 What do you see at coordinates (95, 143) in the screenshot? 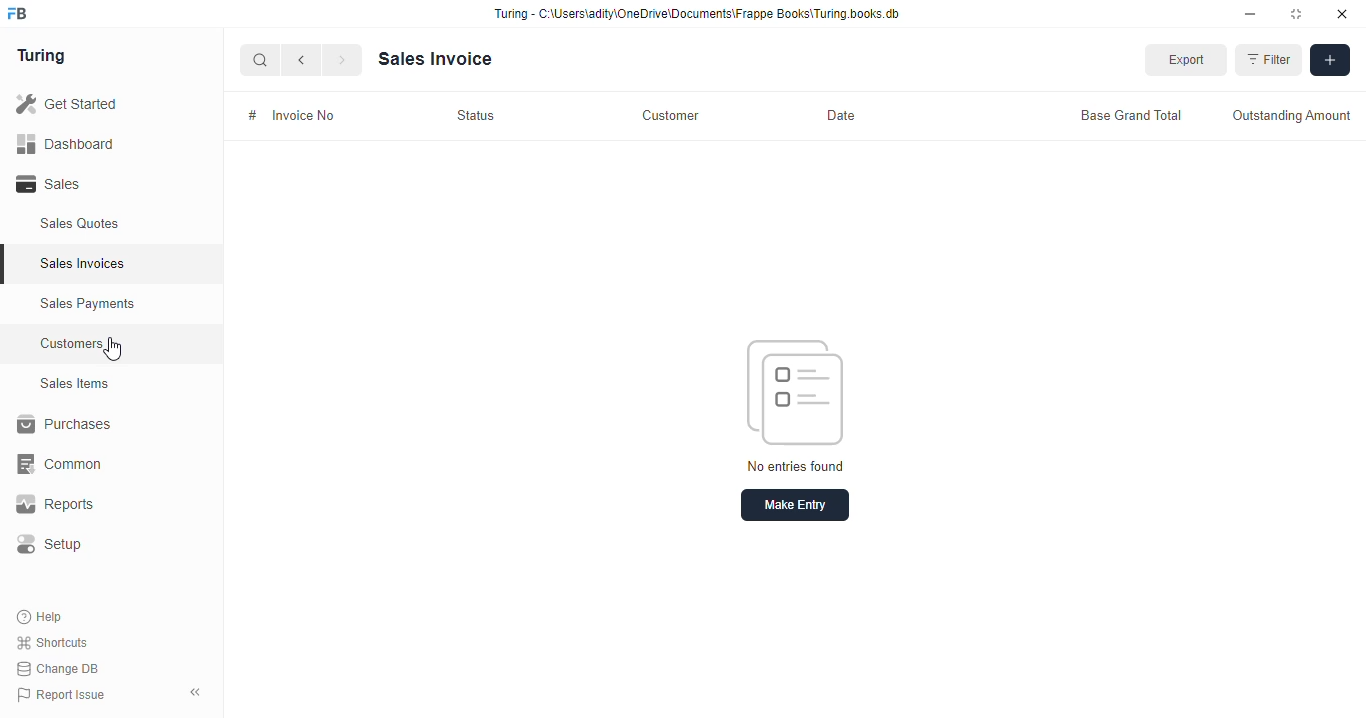
I see `Dashboard` at bounding box center [95, 143].